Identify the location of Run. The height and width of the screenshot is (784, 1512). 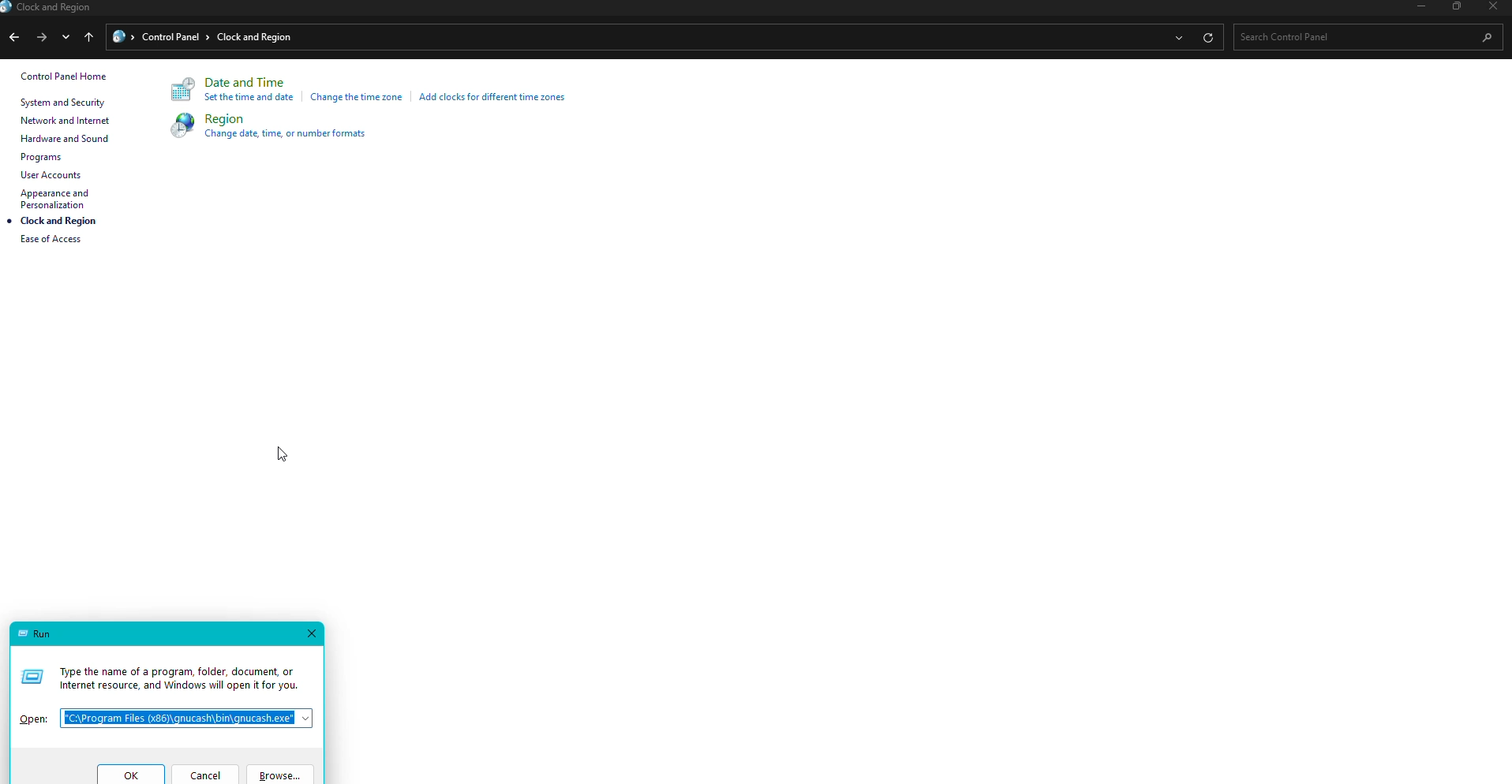
(36, 632).